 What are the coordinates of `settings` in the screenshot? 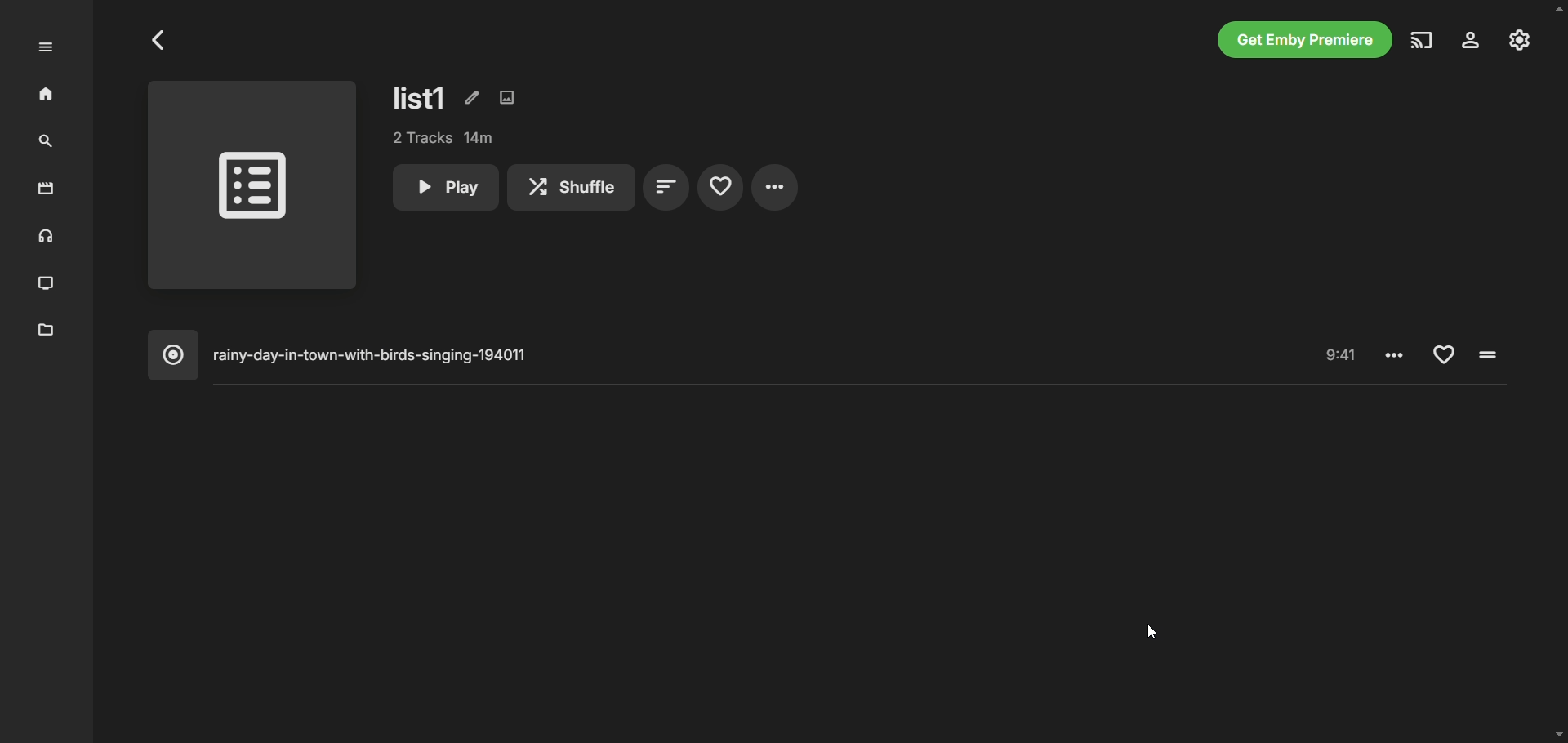 It's located at (1472, 40).